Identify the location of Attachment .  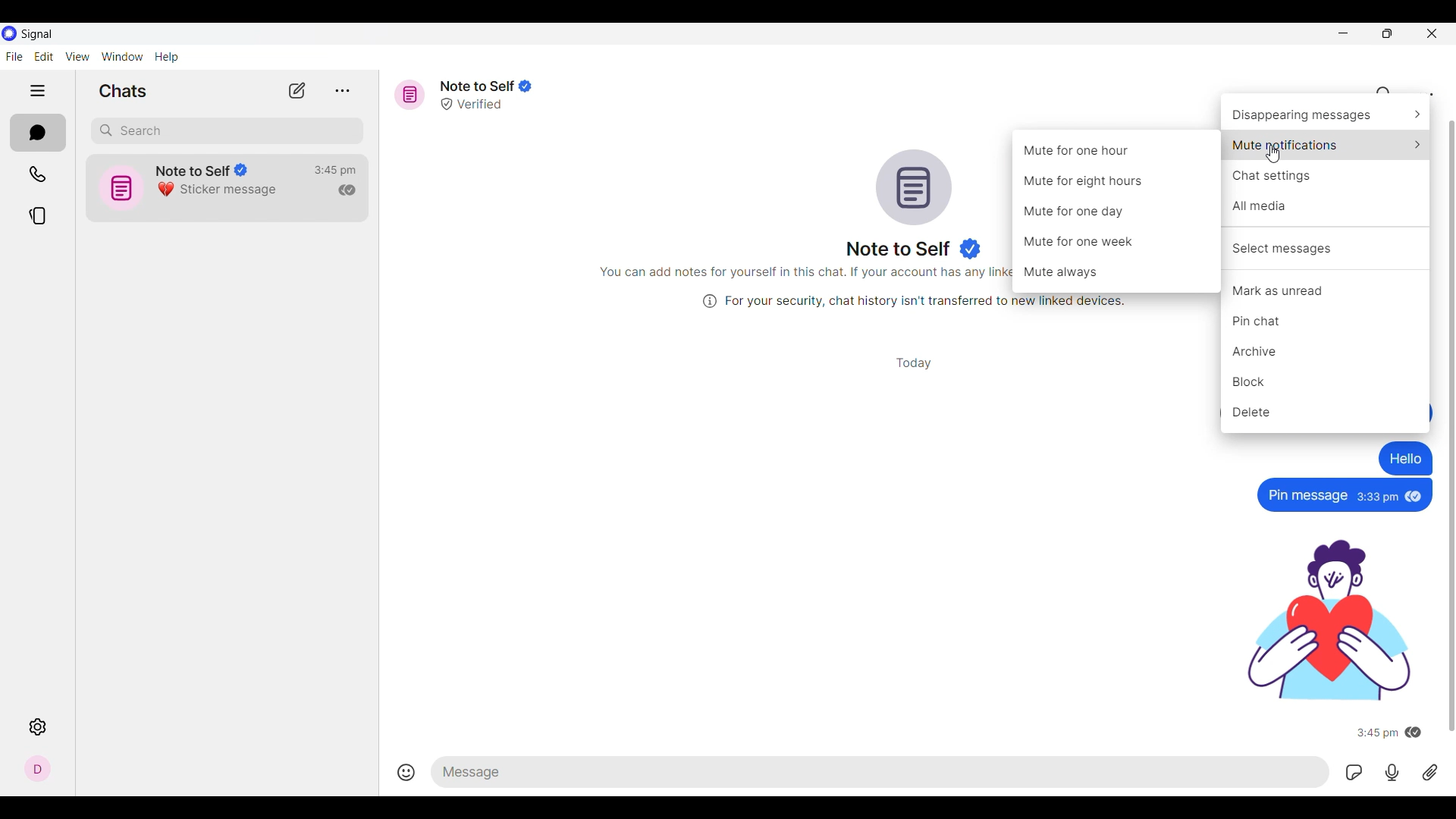
(1429, 772).